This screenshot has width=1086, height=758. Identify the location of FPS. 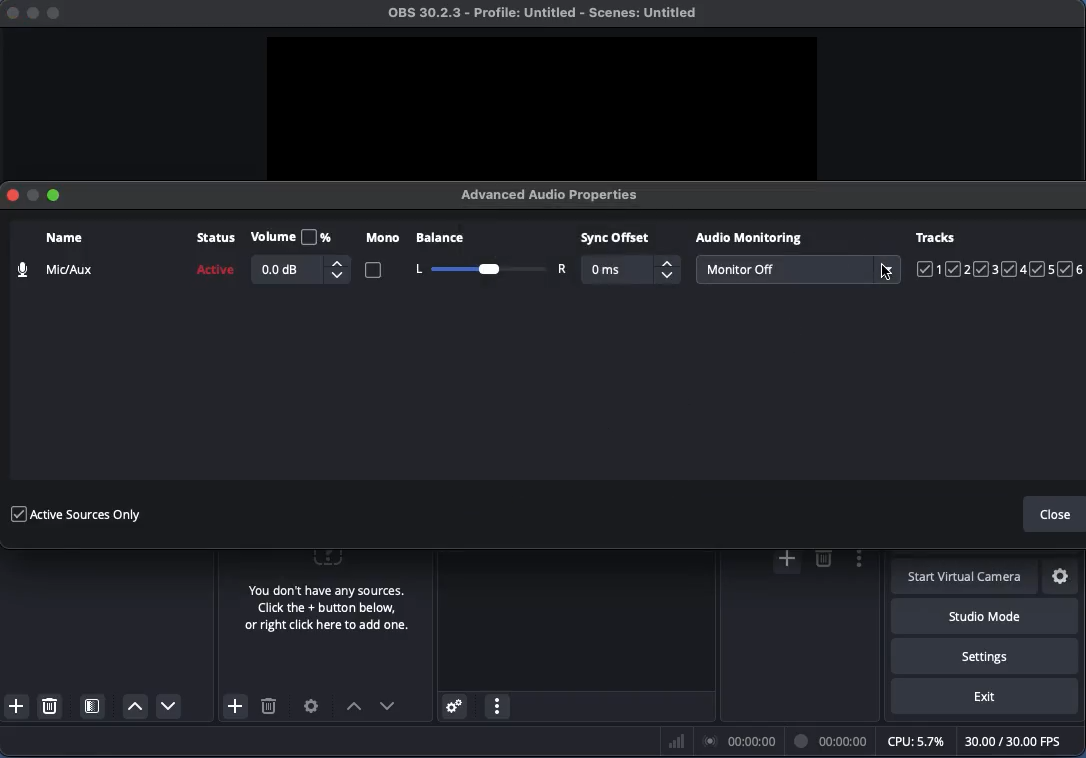
(1022, 741).